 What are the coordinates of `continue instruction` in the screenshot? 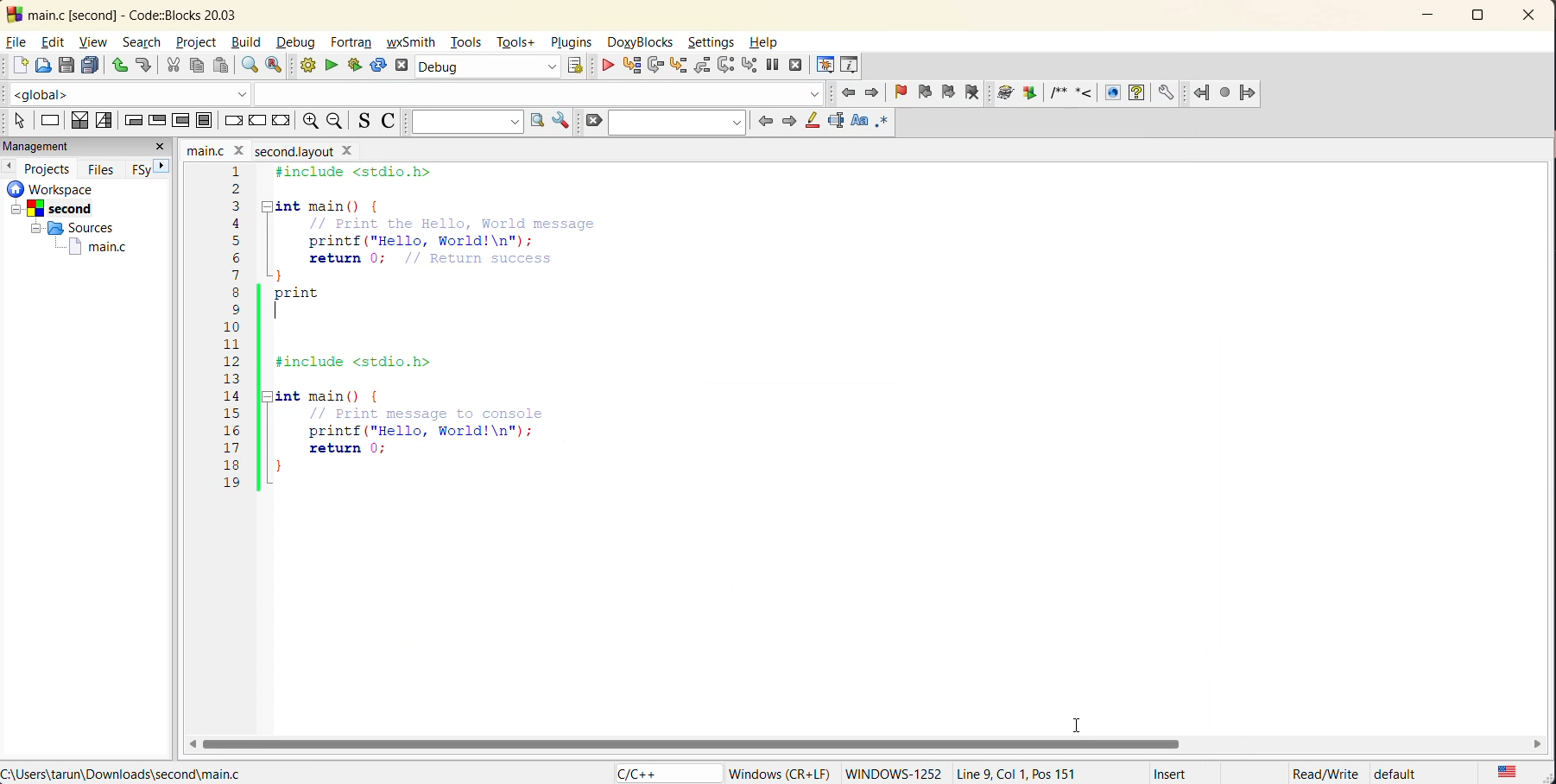 It's located at (259, 120).